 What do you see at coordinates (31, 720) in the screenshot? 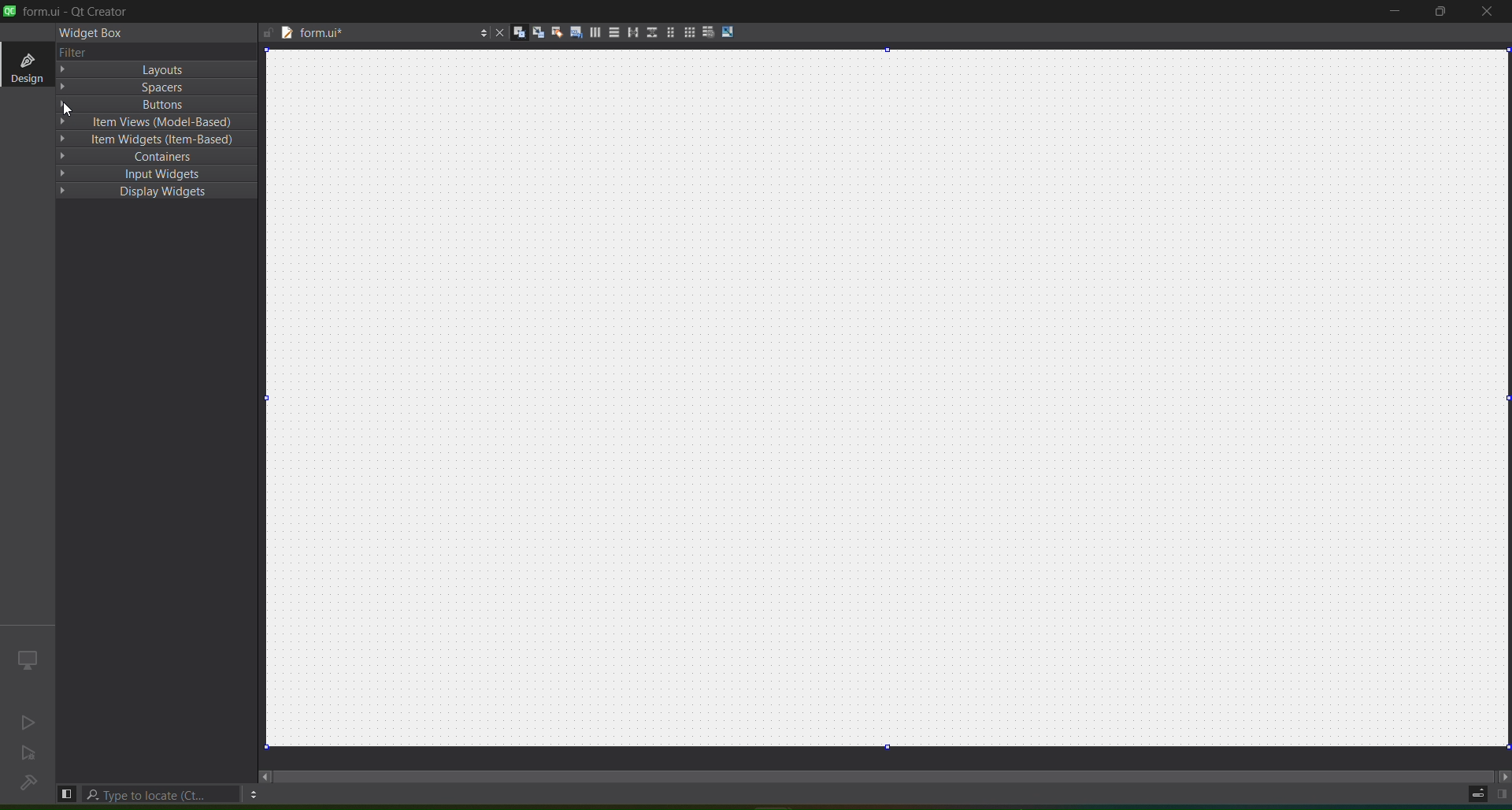
I see `no active project` at bounding box center [31, 720].